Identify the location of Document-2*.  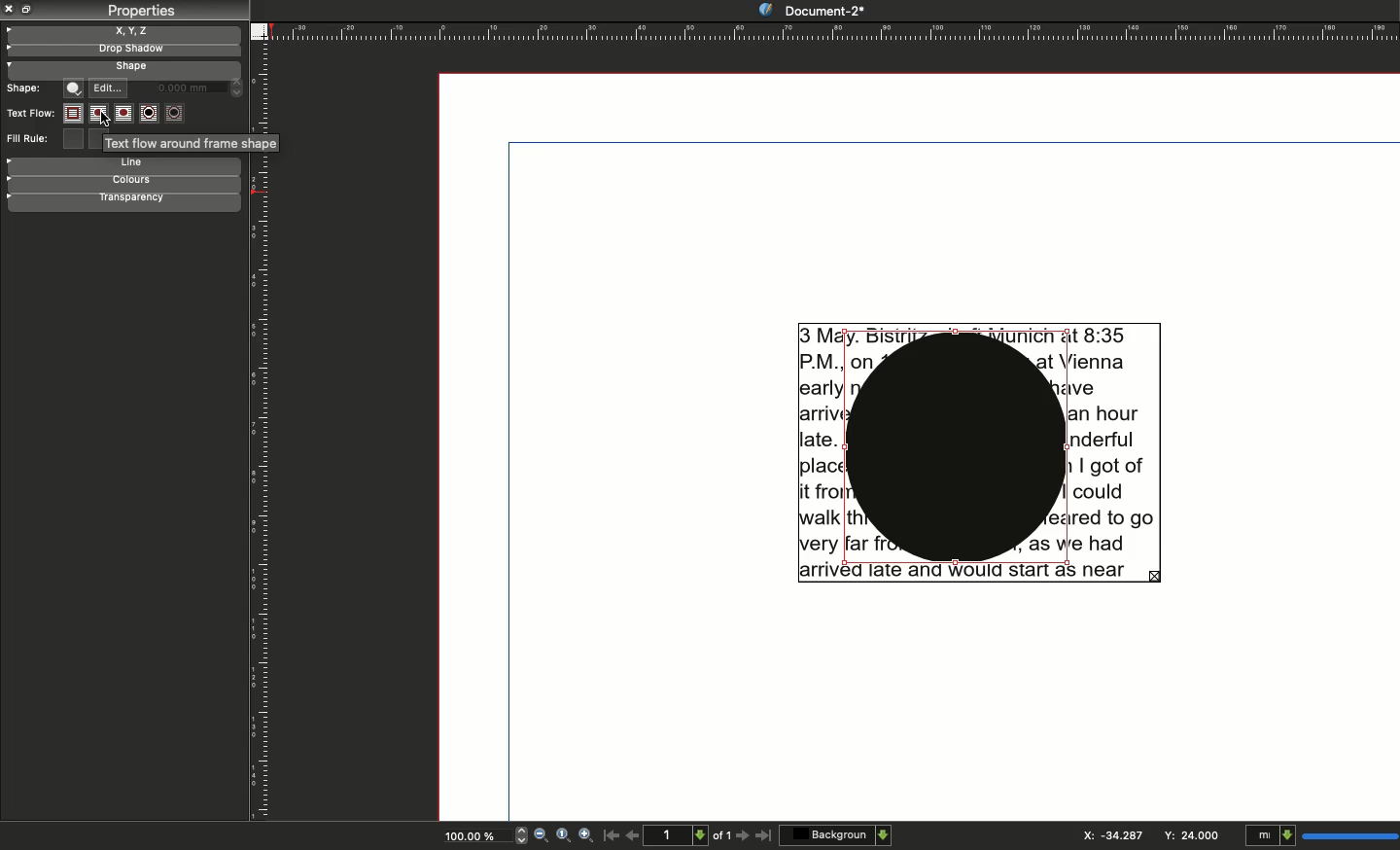
(811, 10).